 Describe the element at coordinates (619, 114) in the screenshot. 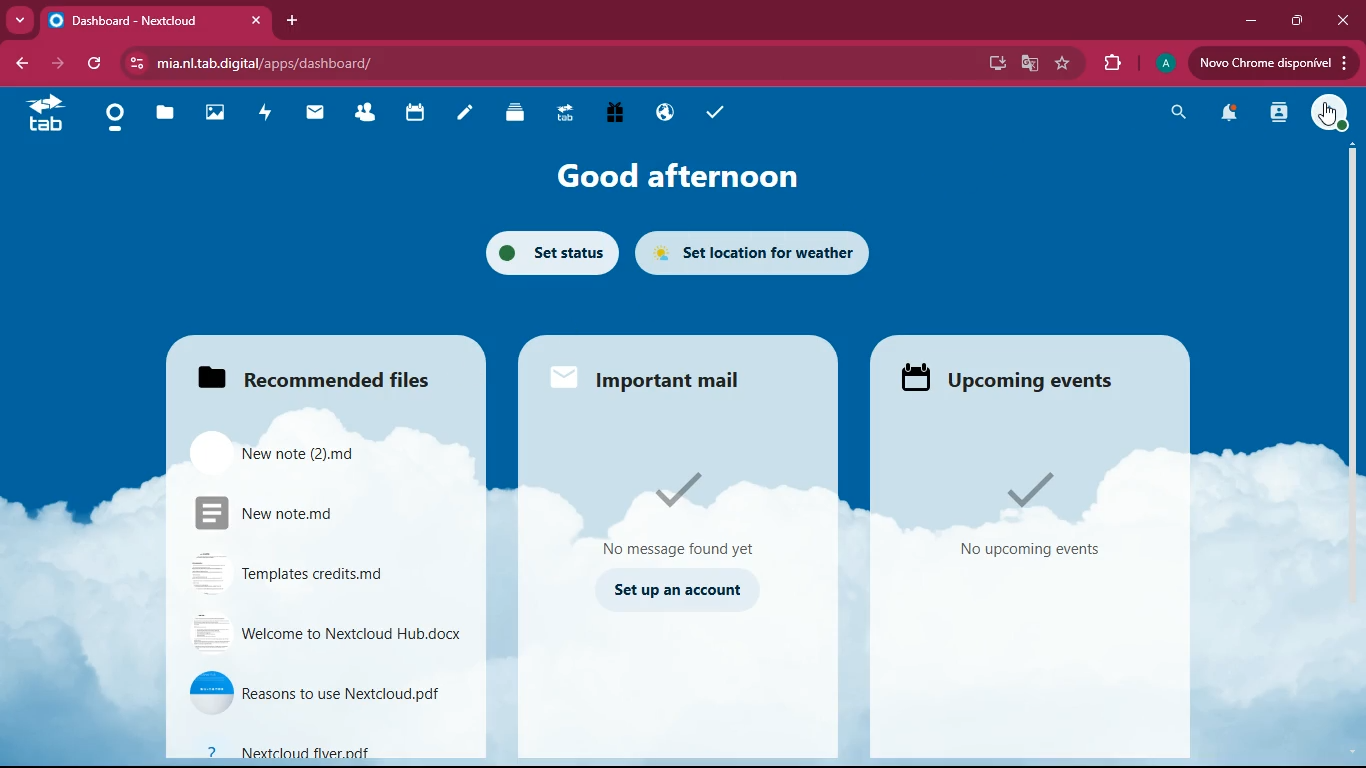

I see `gift` at that location.